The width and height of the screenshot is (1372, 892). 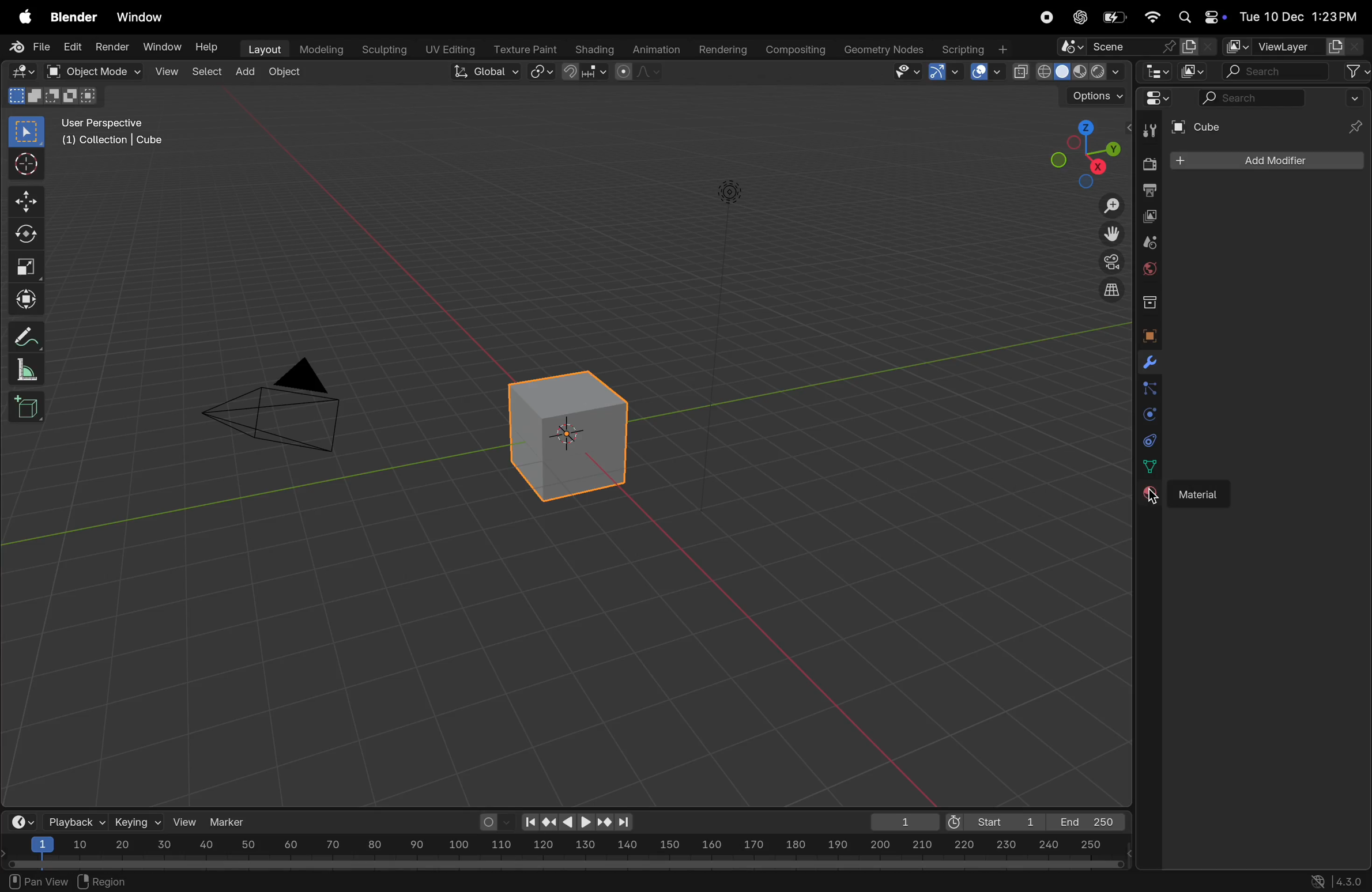 I want to click on blender, so click(x=74, y=18).